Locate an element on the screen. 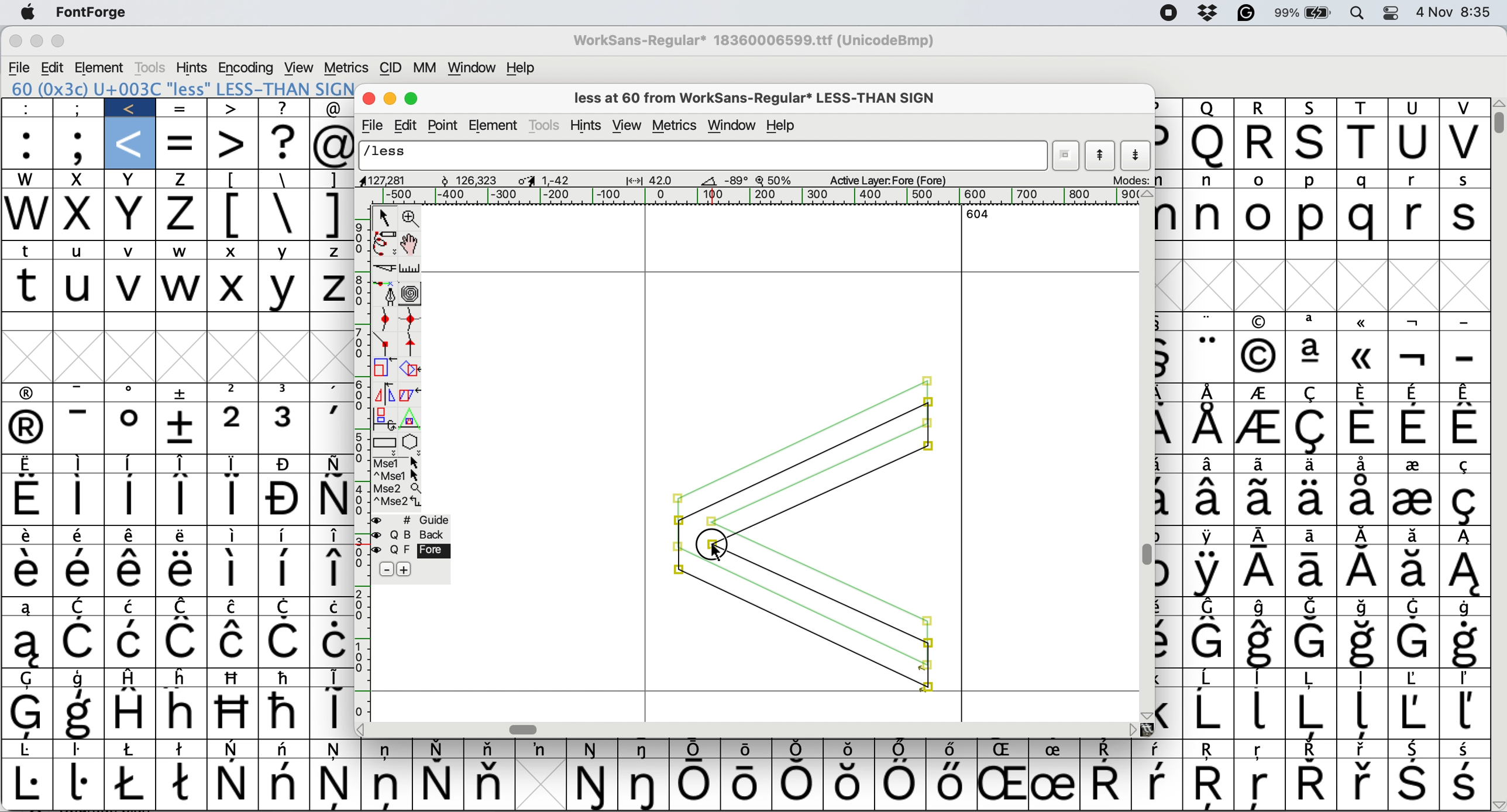  Symbol is located at coordinates (129, 711).